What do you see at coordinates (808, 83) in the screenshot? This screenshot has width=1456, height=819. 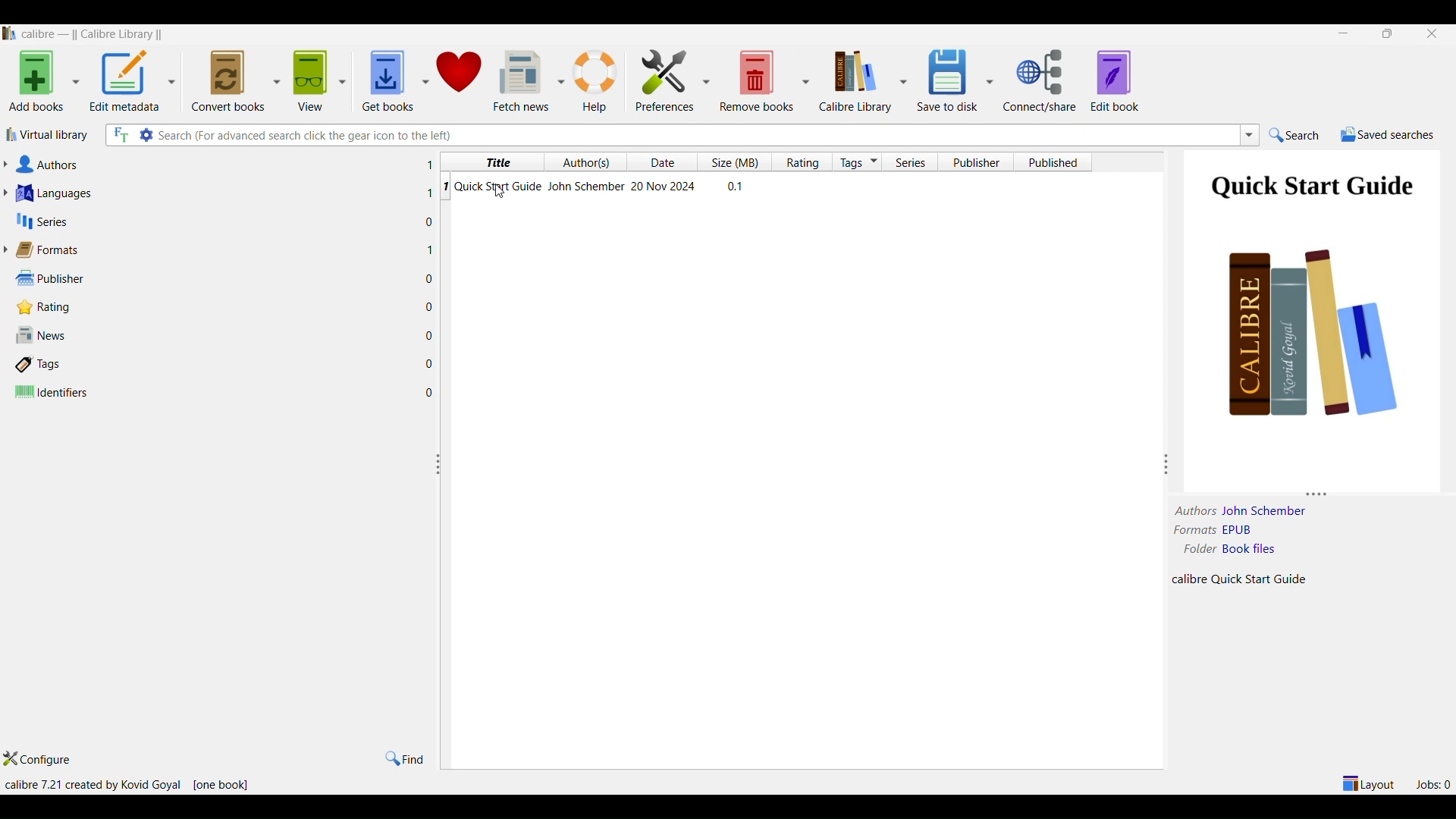 I see `remove books options dropdown button` at bounding box center [808, 83].